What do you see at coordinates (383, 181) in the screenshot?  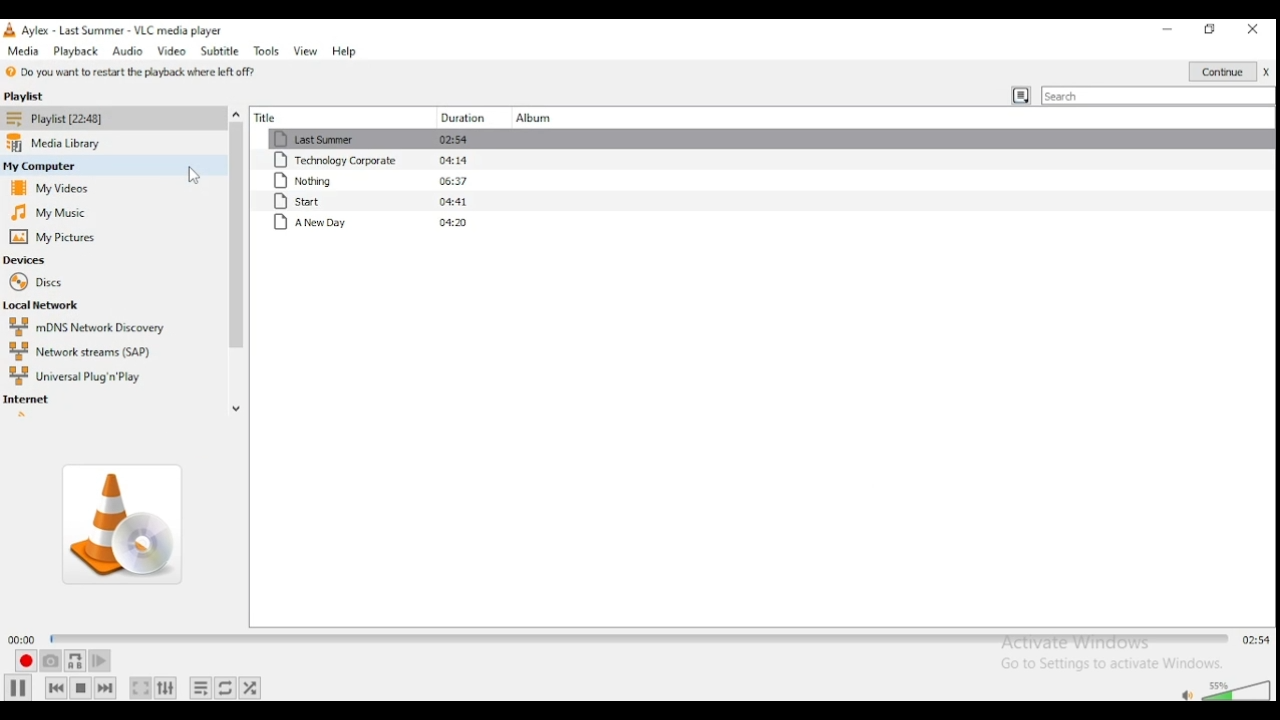 I see `playlist item 3` at bounding box center [383, 181].